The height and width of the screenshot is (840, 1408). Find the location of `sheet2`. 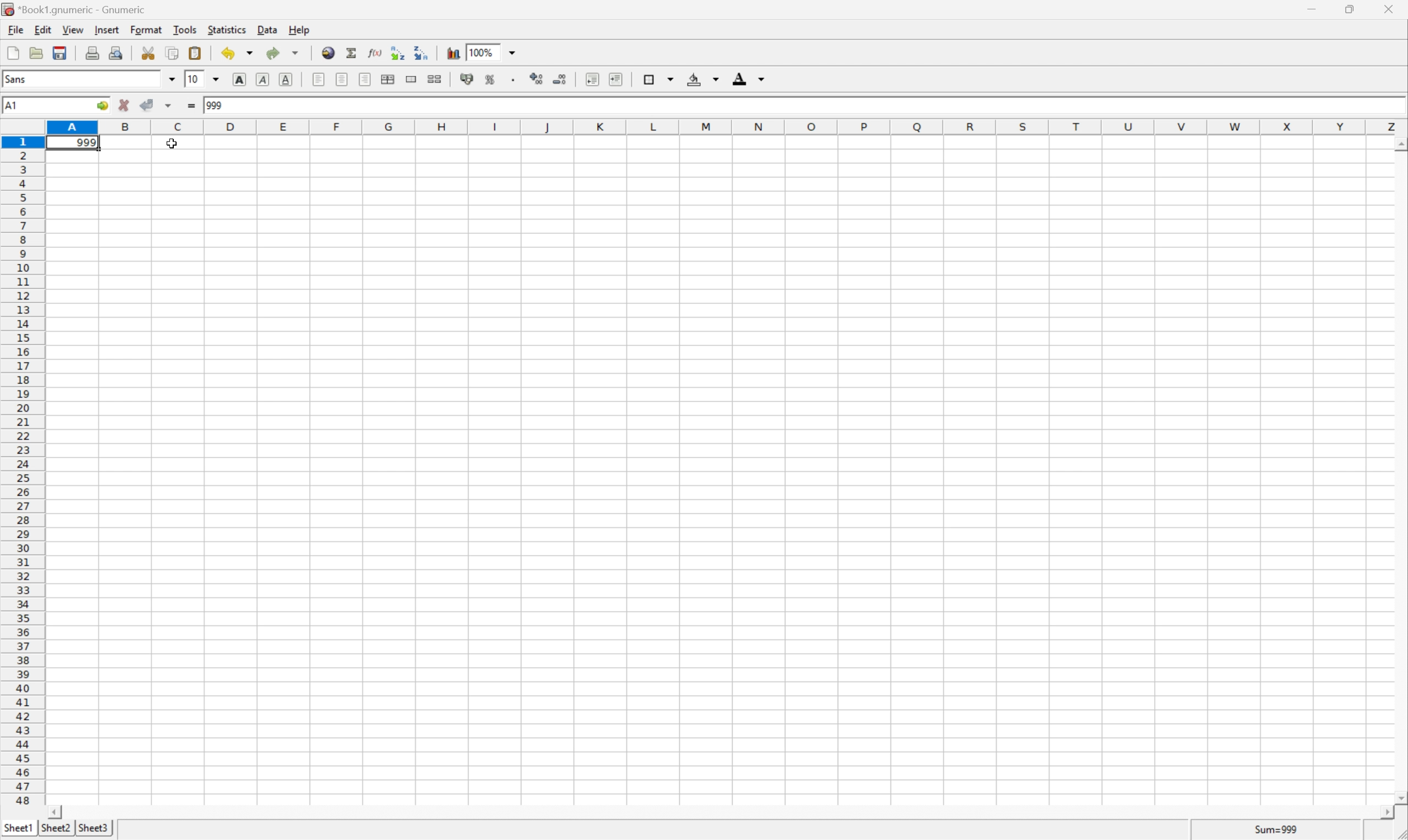

sheet2 is located at coordinates (55, 832).